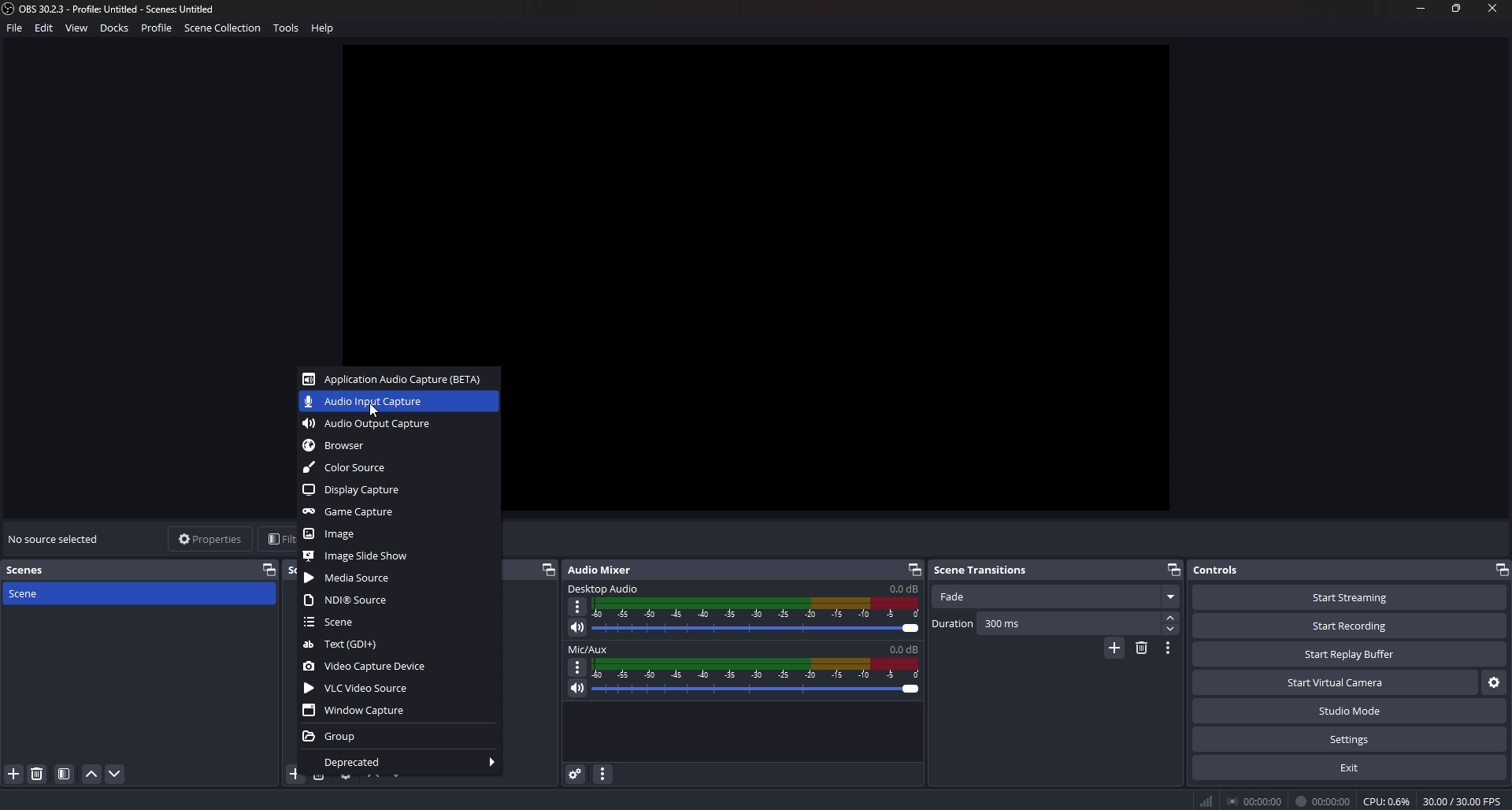 Image resolution: width=1512 pixels, height=810 pixels. I want to click on filters, so click(278, 539).